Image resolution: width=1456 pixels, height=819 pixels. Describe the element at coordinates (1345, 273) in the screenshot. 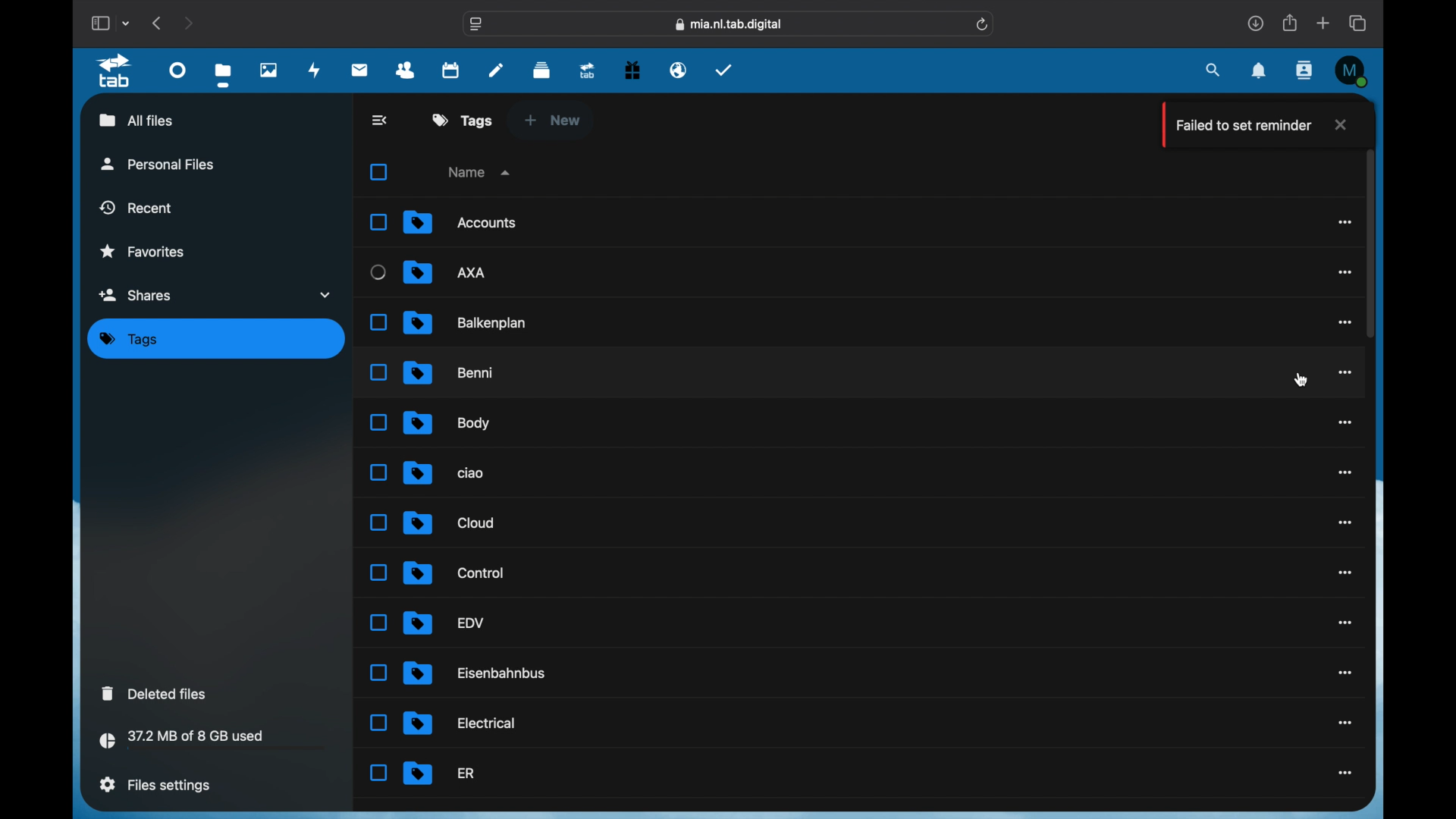

I see `more options` at that location.